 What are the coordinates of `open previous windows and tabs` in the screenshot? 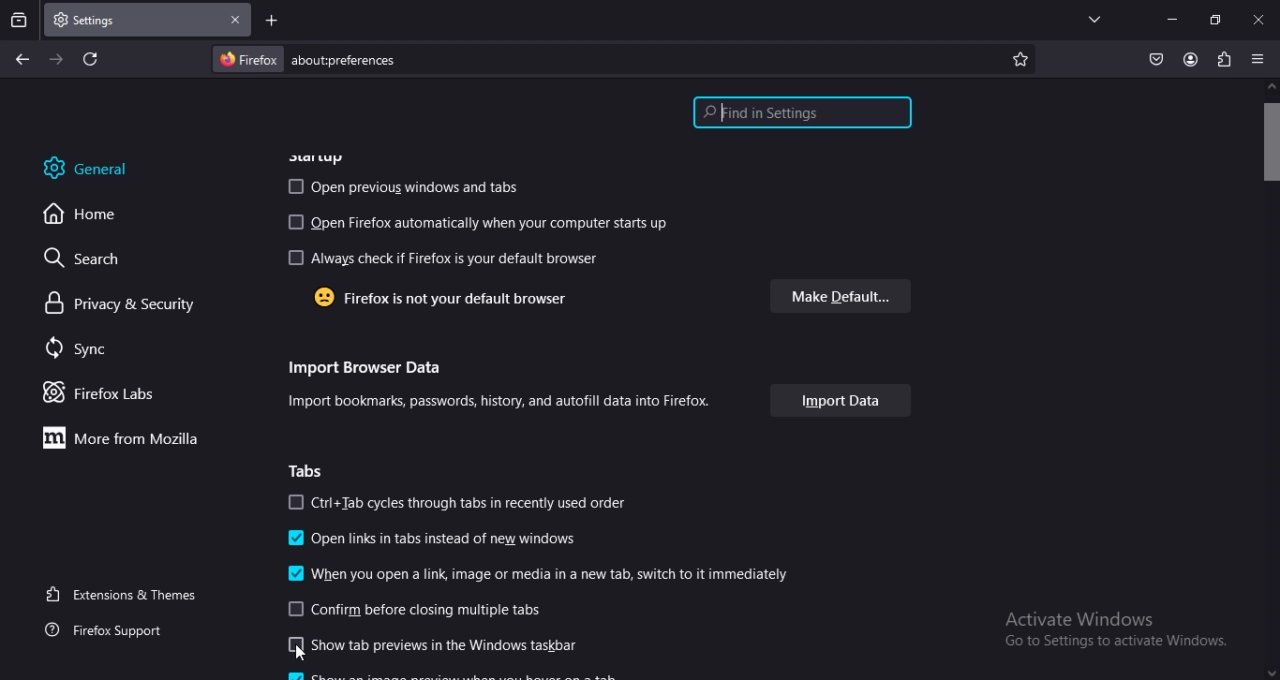 It's located at (404, 188).